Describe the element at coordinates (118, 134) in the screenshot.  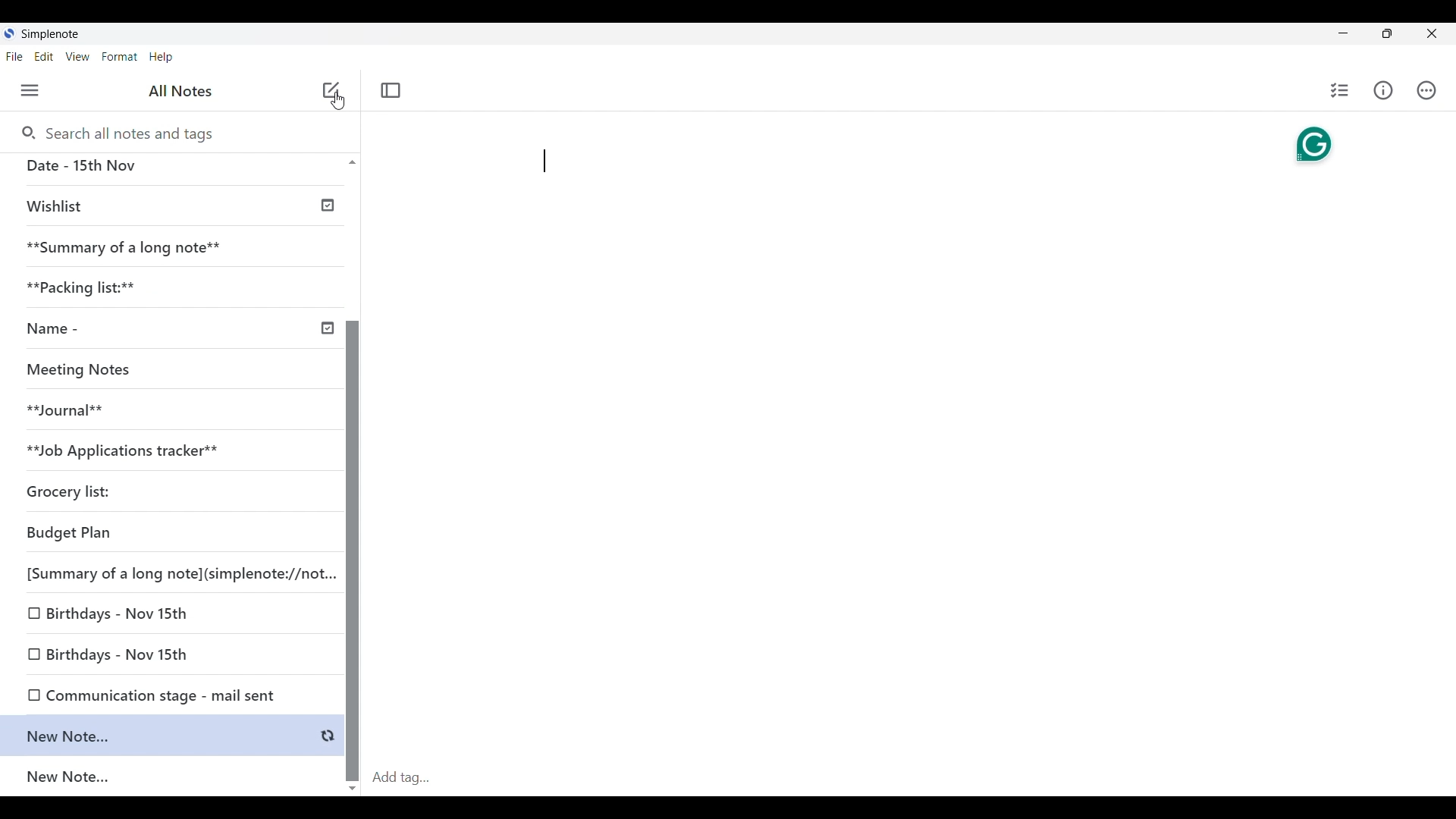
I see `Search all notes and tags` at that location.